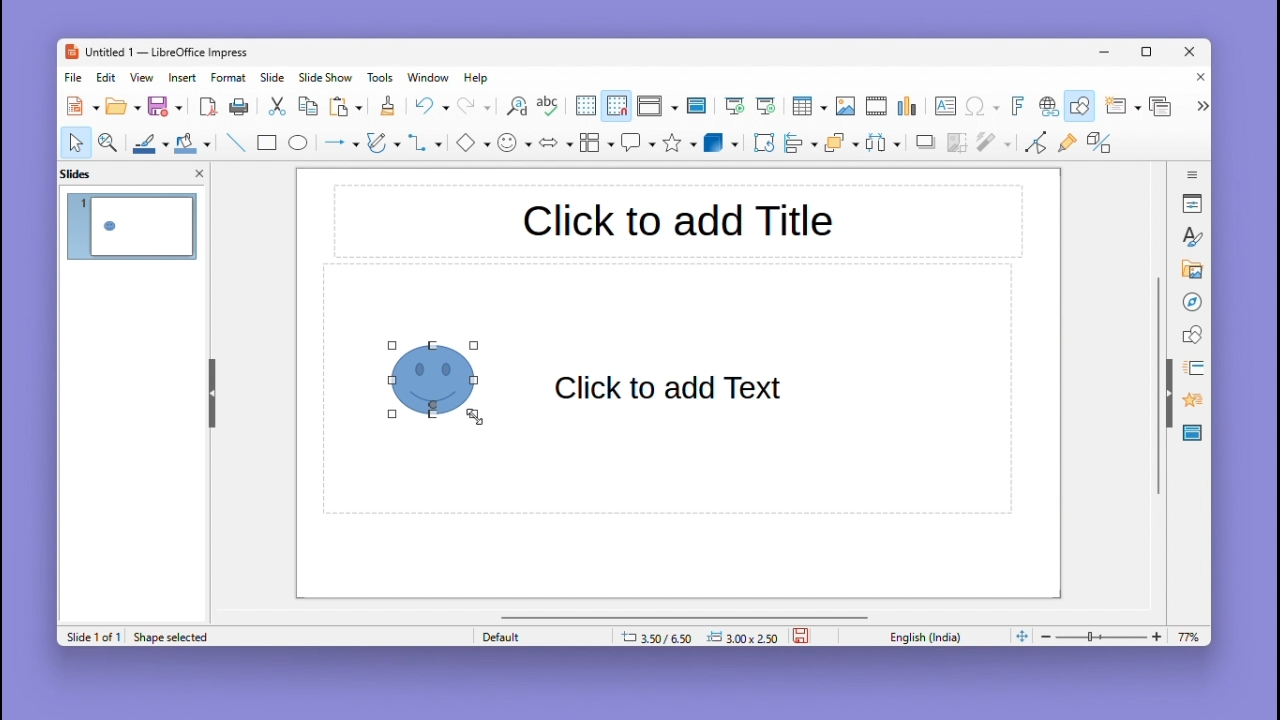 This screenshot has width=1280, height=720. I want to click on new, so click(84, 106).